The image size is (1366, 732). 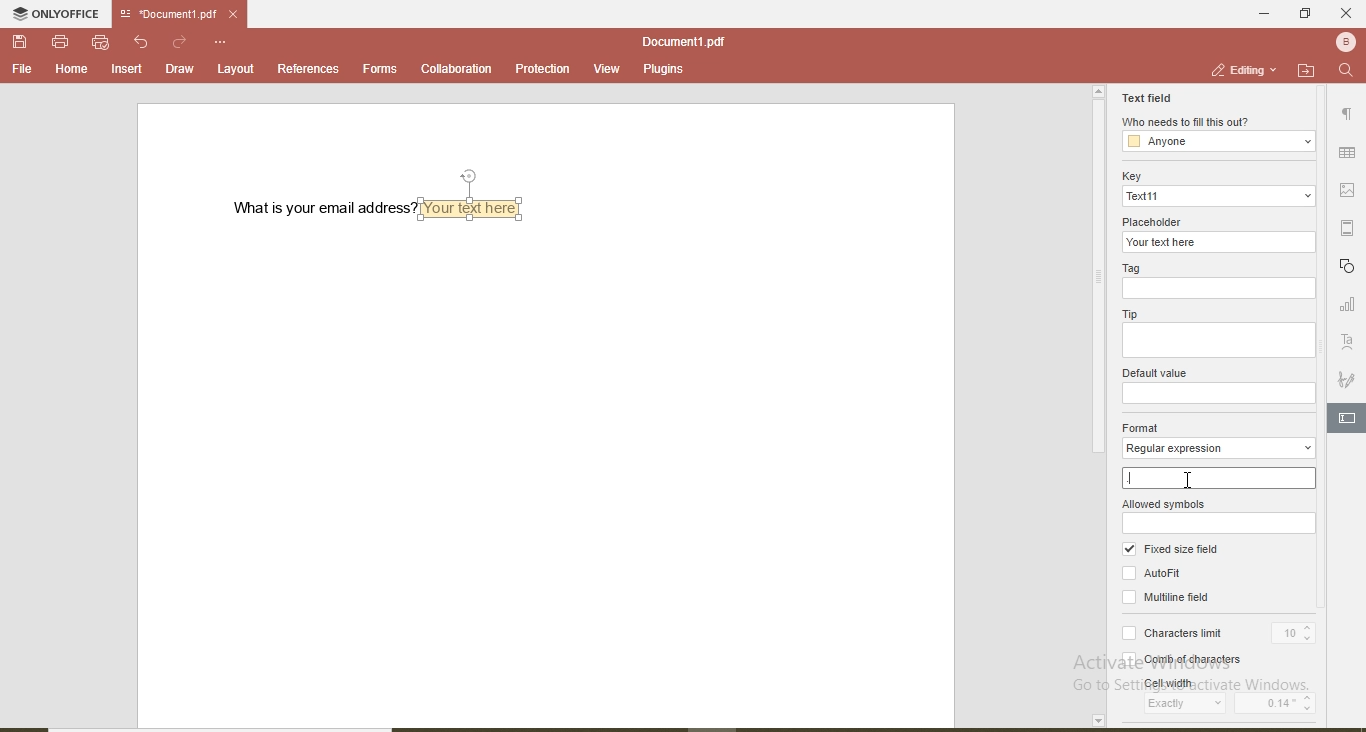 What do you see at coordinates (1351, 228) in the screenshot?
I see `margin` at bounding box center [1351, 228].